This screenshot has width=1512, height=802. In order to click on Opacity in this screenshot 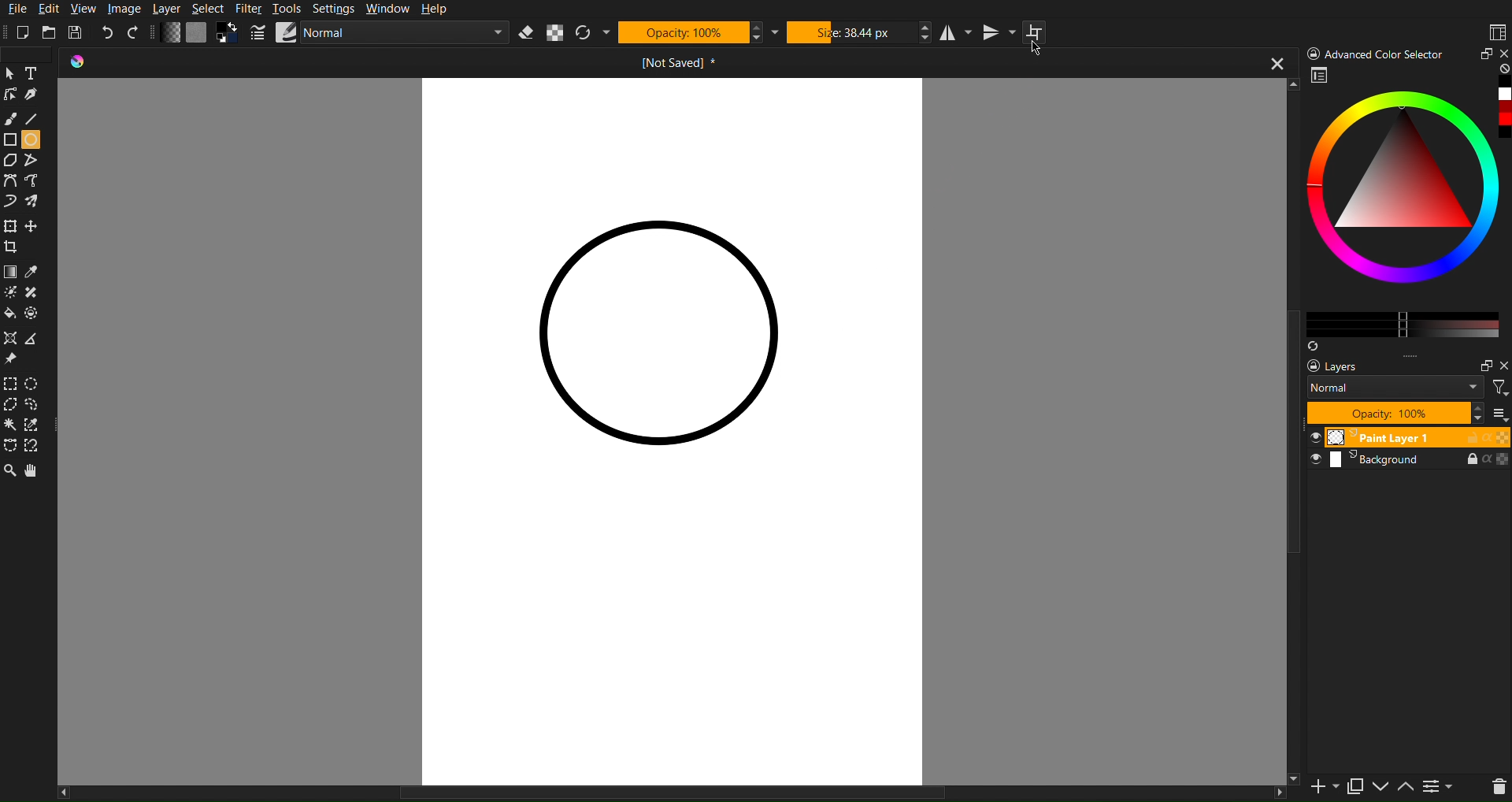, I will do `click(680, 32)`.